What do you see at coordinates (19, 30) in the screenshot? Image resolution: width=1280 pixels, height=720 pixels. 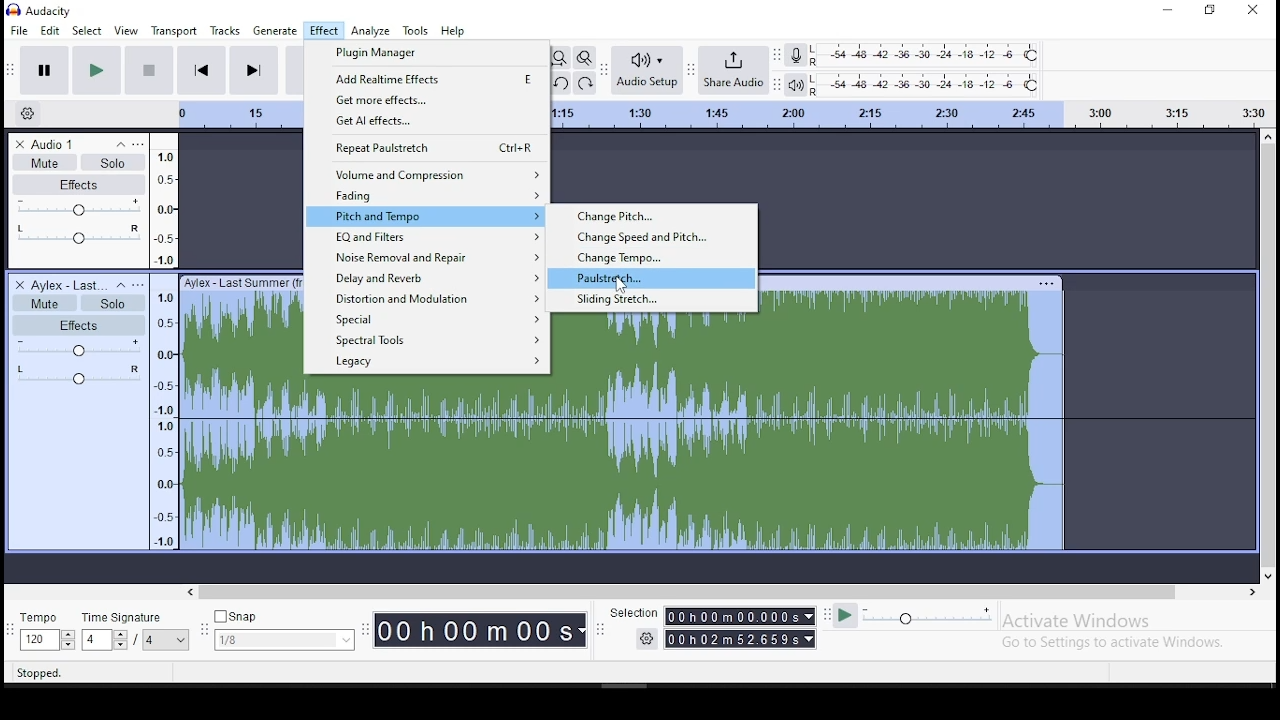 I see `file` at bounding box center [19, 30].